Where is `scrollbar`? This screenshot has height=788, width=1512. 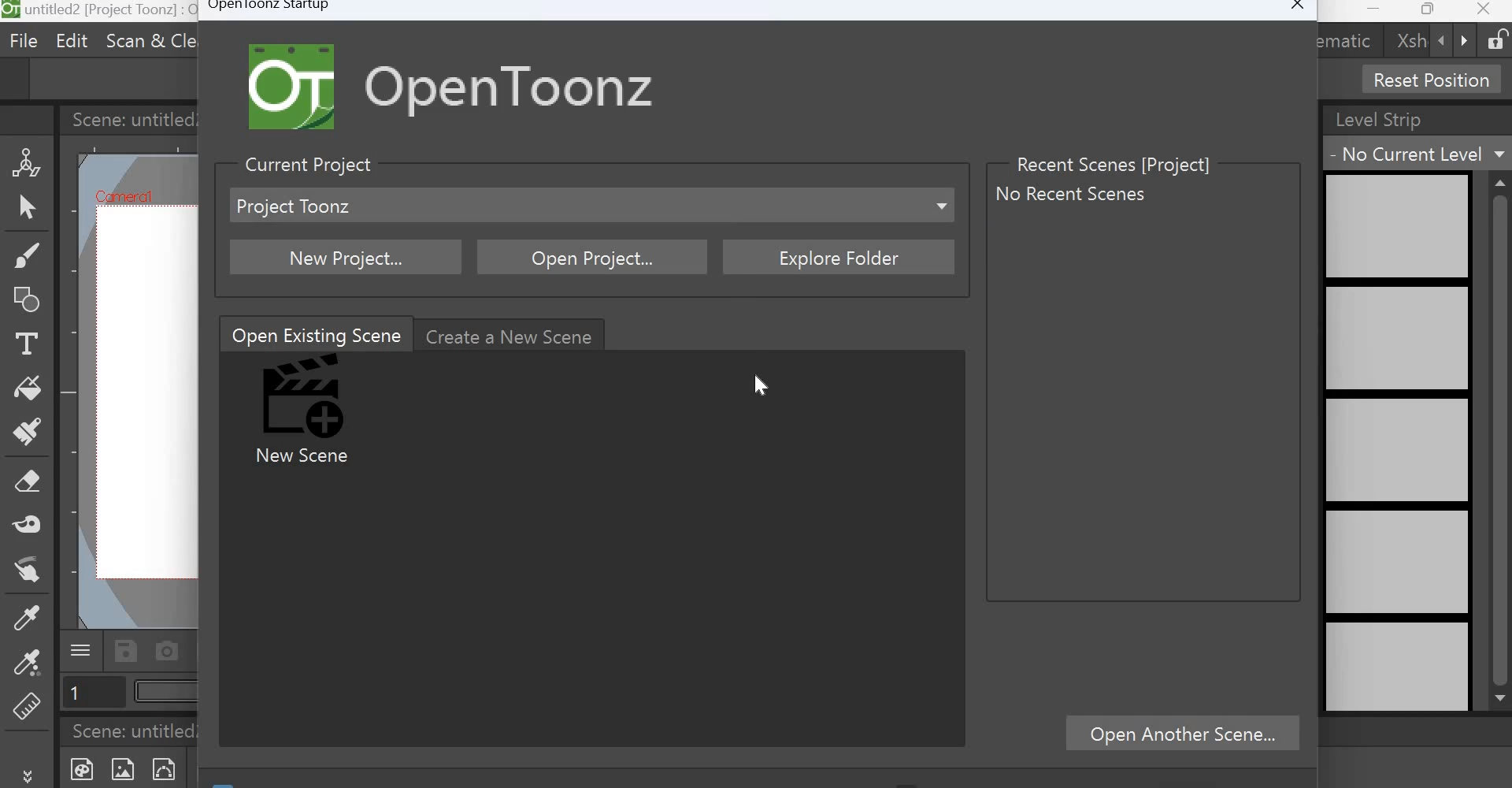
scrollbar is located at coordinates (1503, 397).